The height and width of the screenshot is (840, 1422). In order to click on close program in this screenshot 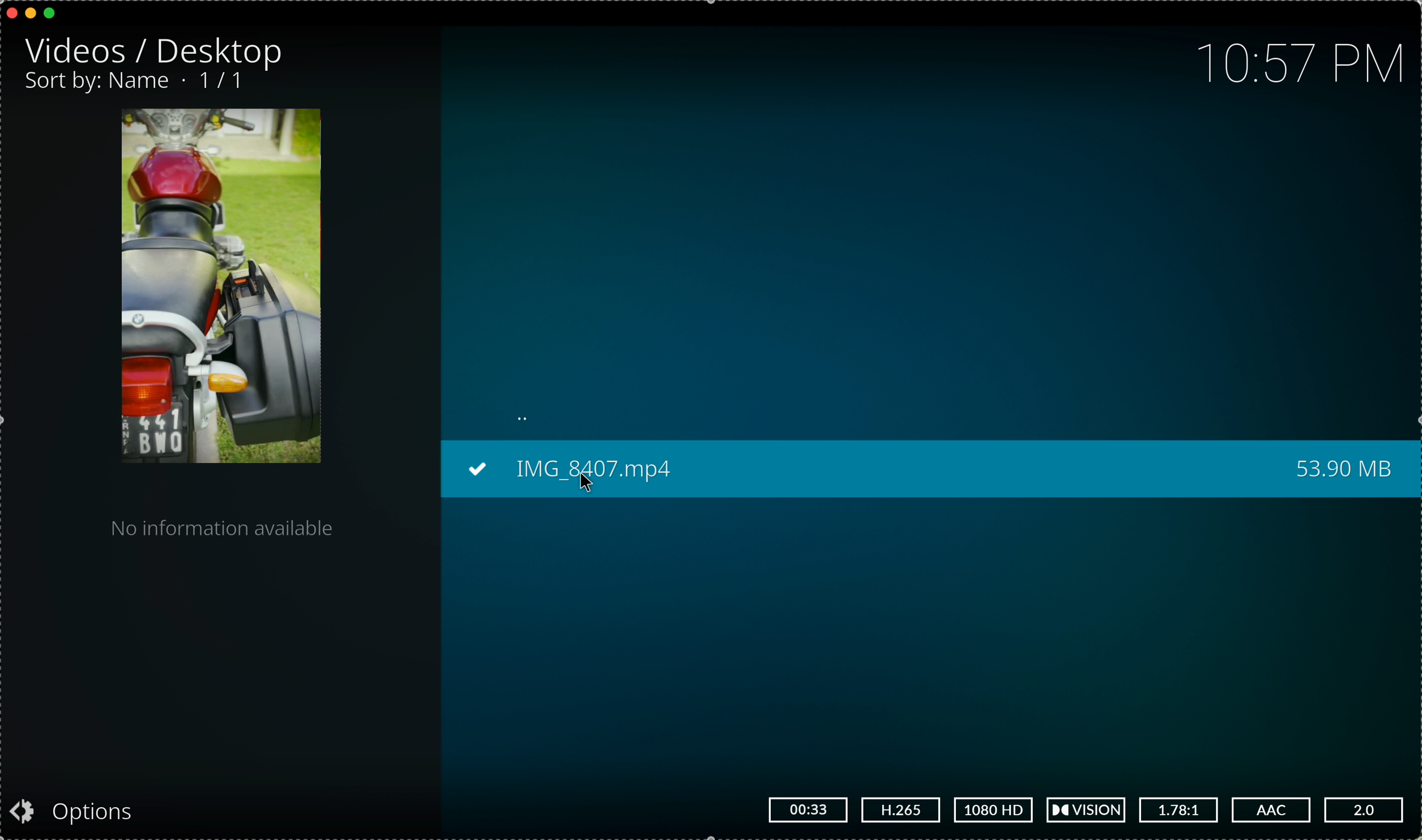, I will do `click(9, 12)`.